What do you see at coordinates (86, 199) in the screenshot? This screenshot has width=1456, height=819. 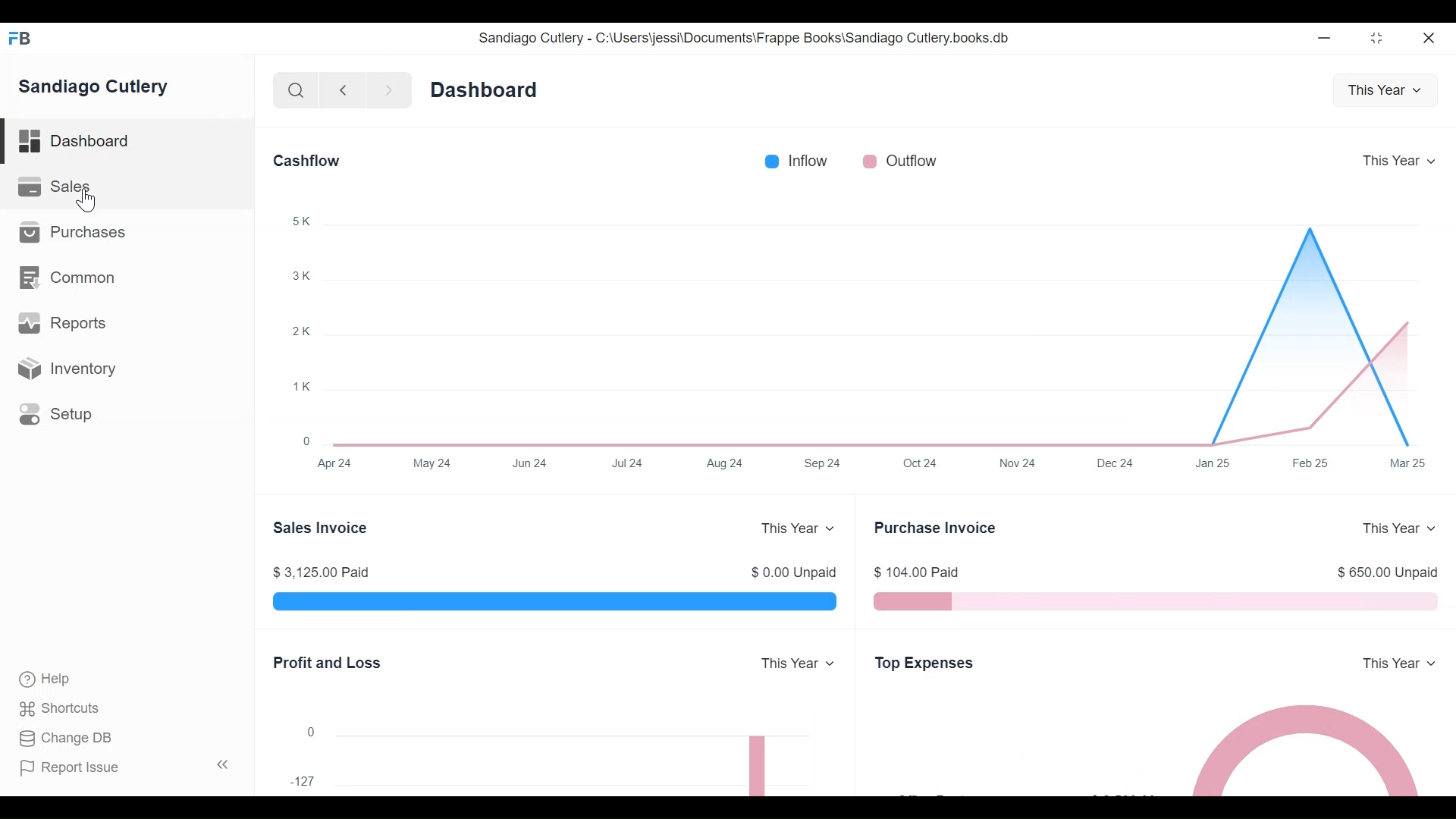 I see `Cursor` at bounding box center [86, 199].